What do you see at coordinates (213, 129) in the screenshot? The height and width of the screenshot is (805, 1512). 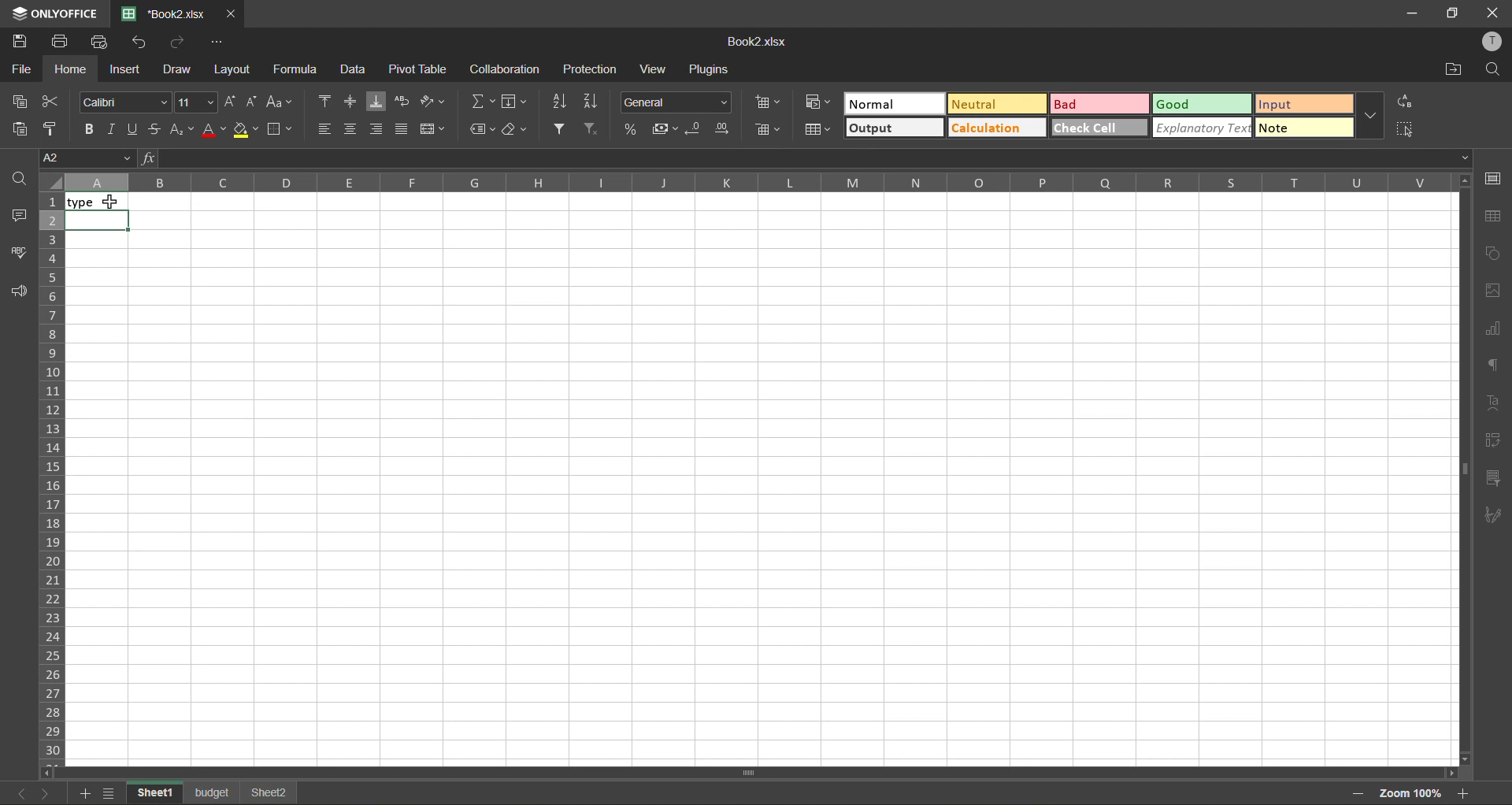 I see `font color` at bounding box center [213, 129].